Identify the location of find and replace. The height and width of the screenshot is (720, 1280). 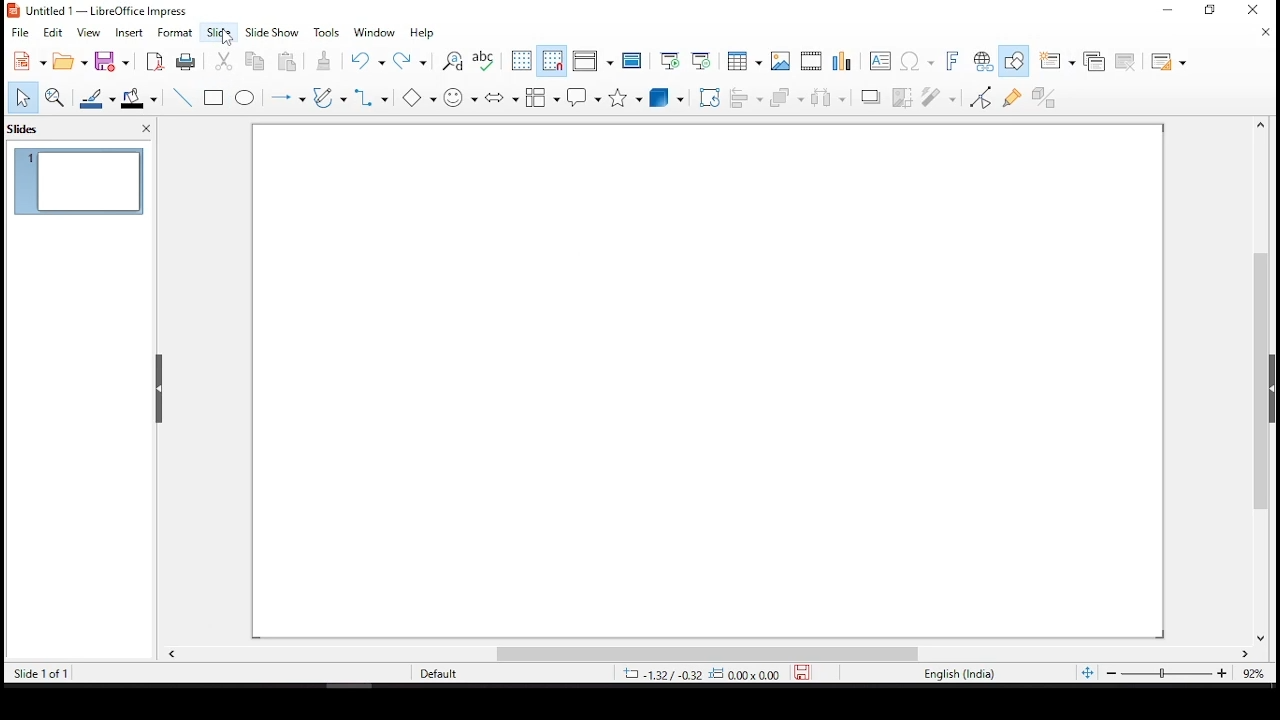
(451, 63).